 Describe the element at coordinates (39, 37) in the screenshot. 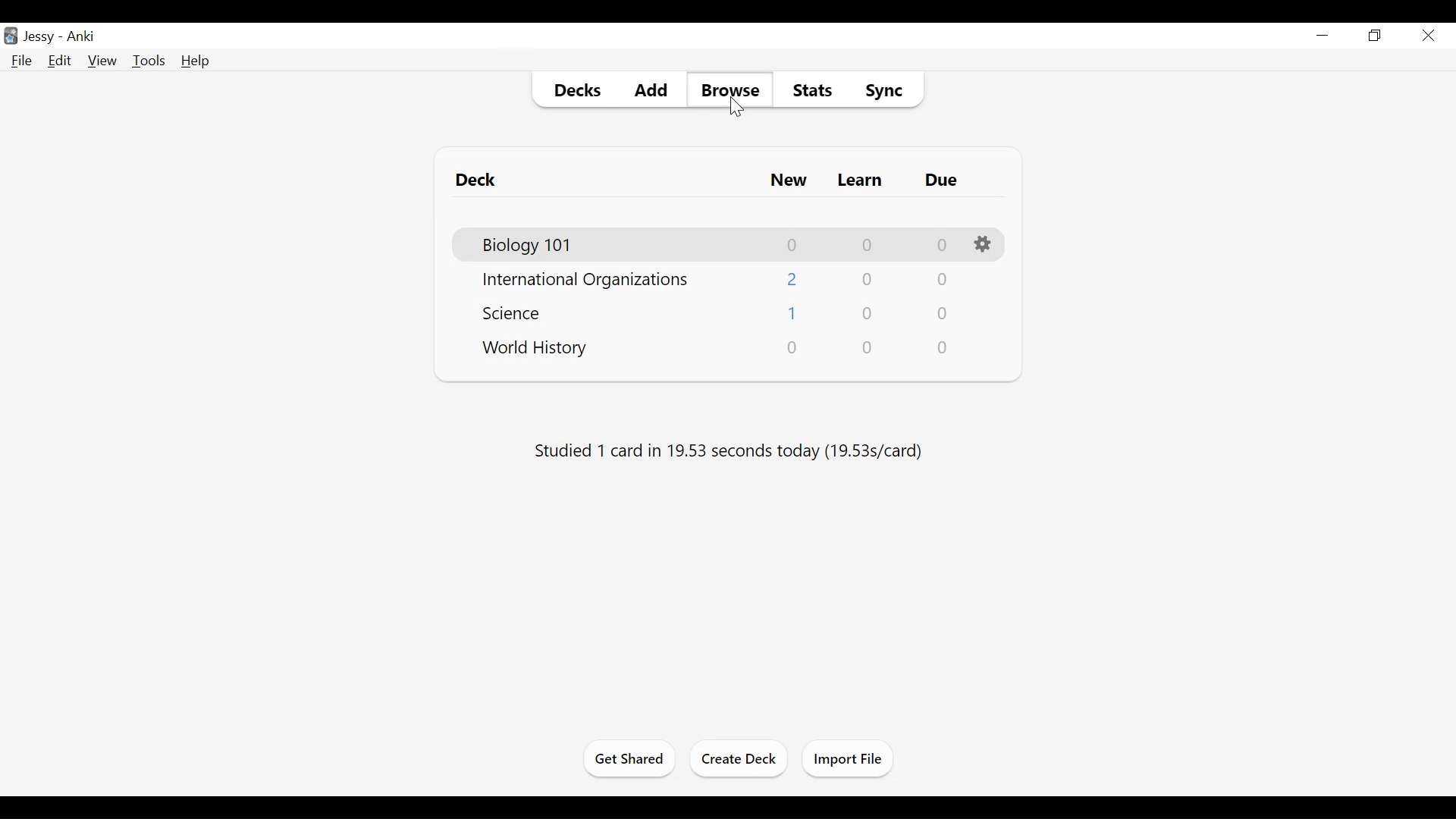

I see `User Profile` at that location.